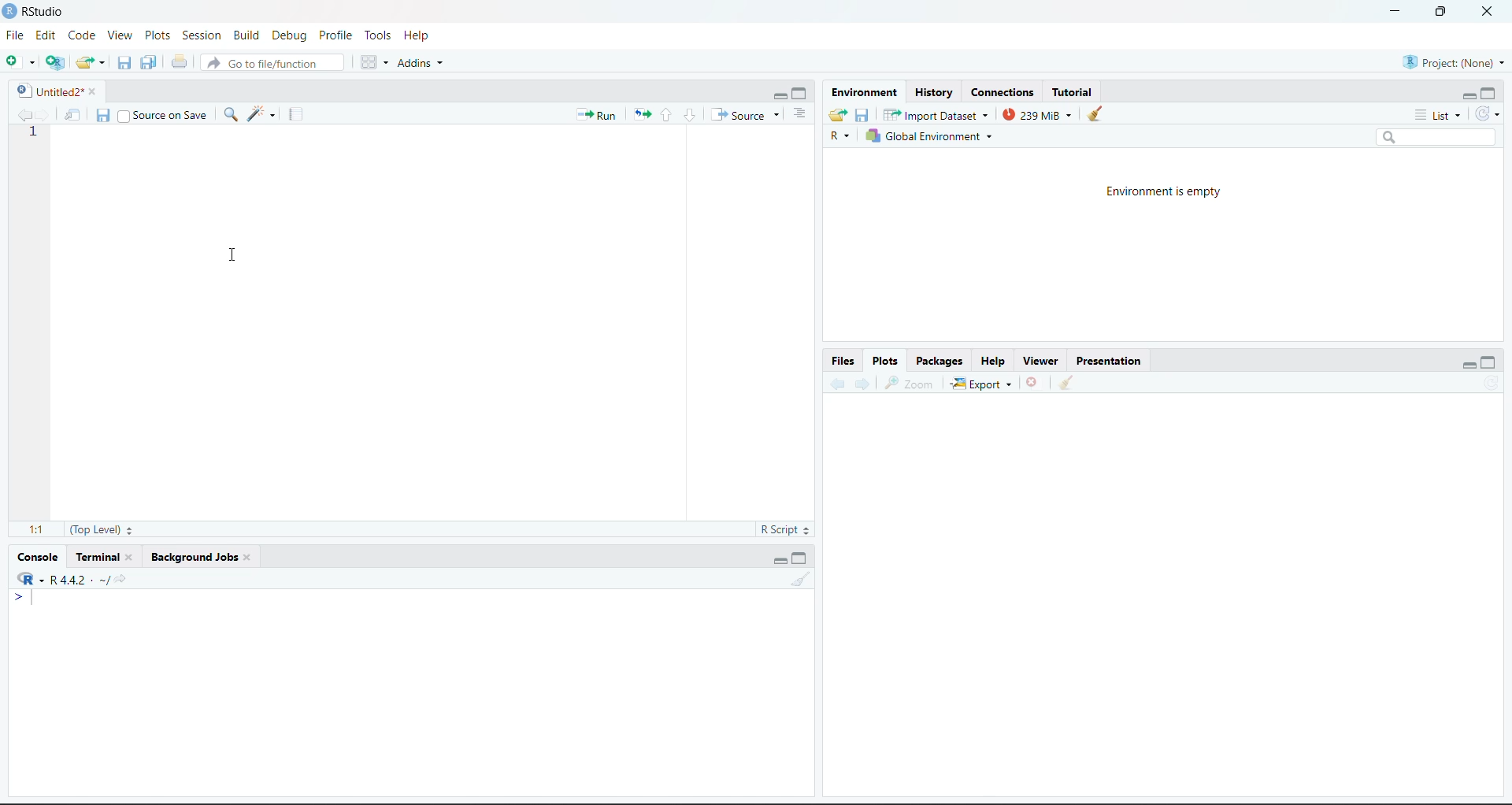  I want to click on File, so click(17, 35).